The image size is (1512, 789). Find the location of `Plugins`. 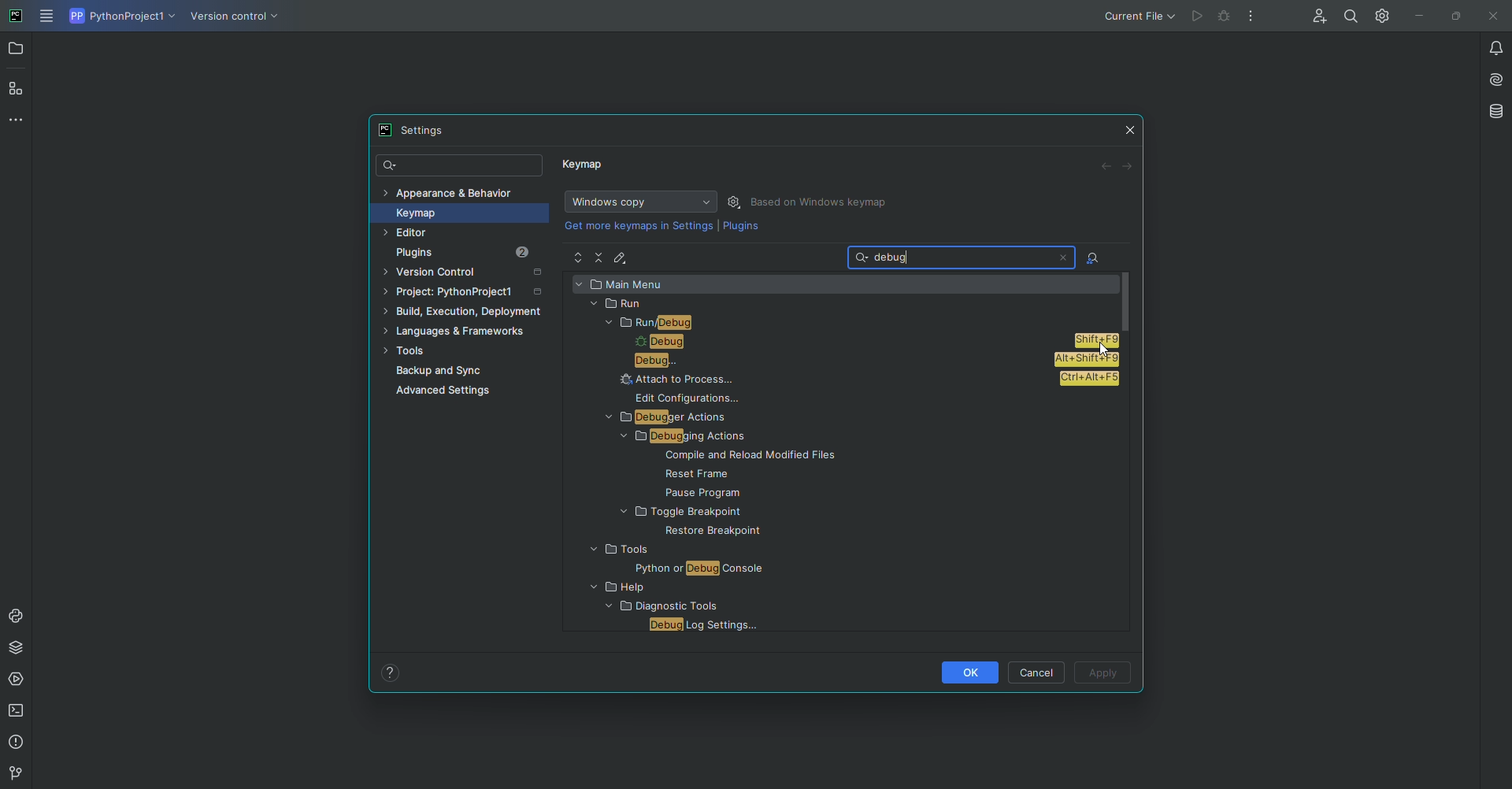

Plugins is located at coordinates (741, 229).